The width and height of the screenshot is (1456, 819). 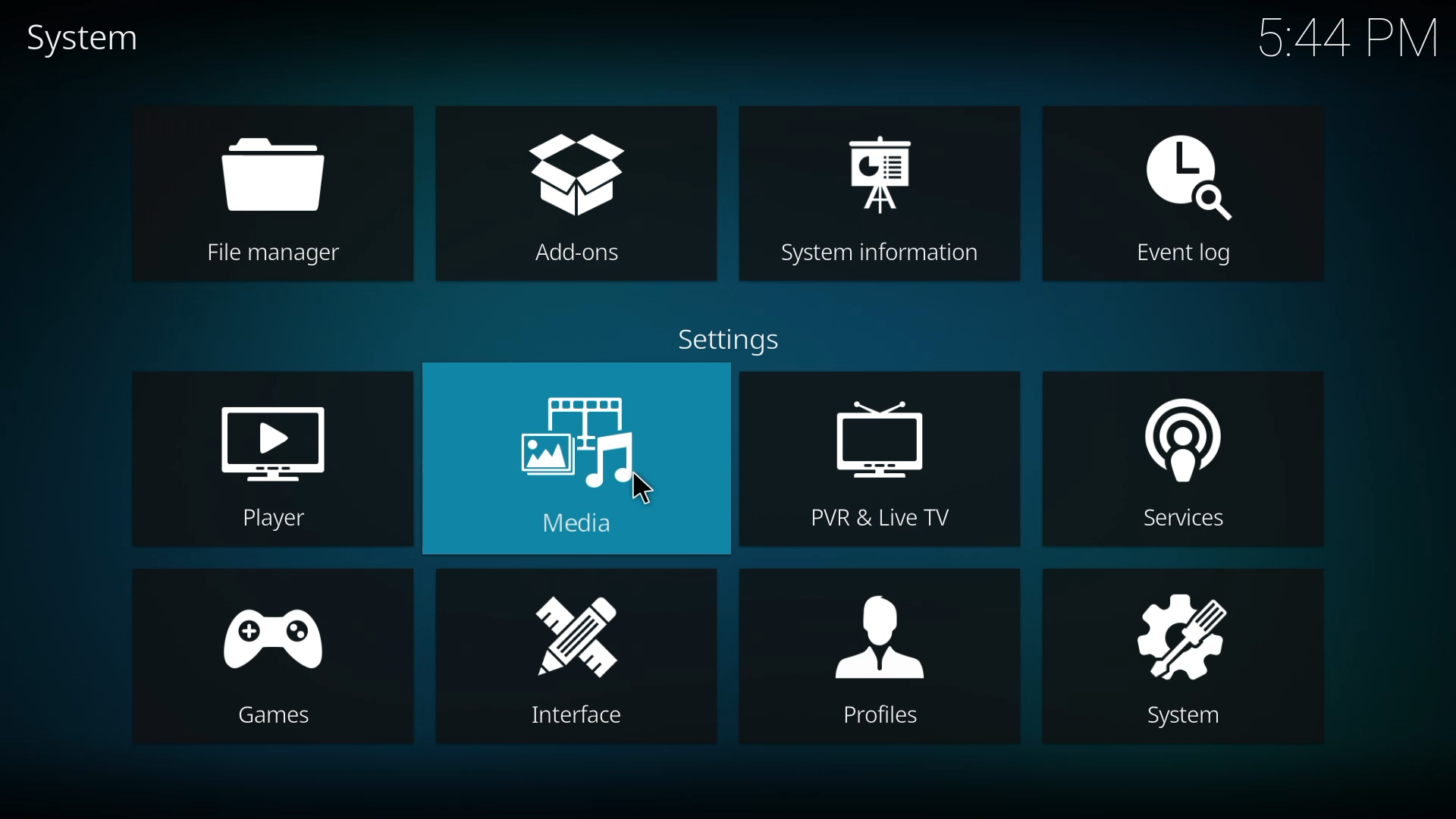 I want to click on Add-ons, so click(x=565, y=255).